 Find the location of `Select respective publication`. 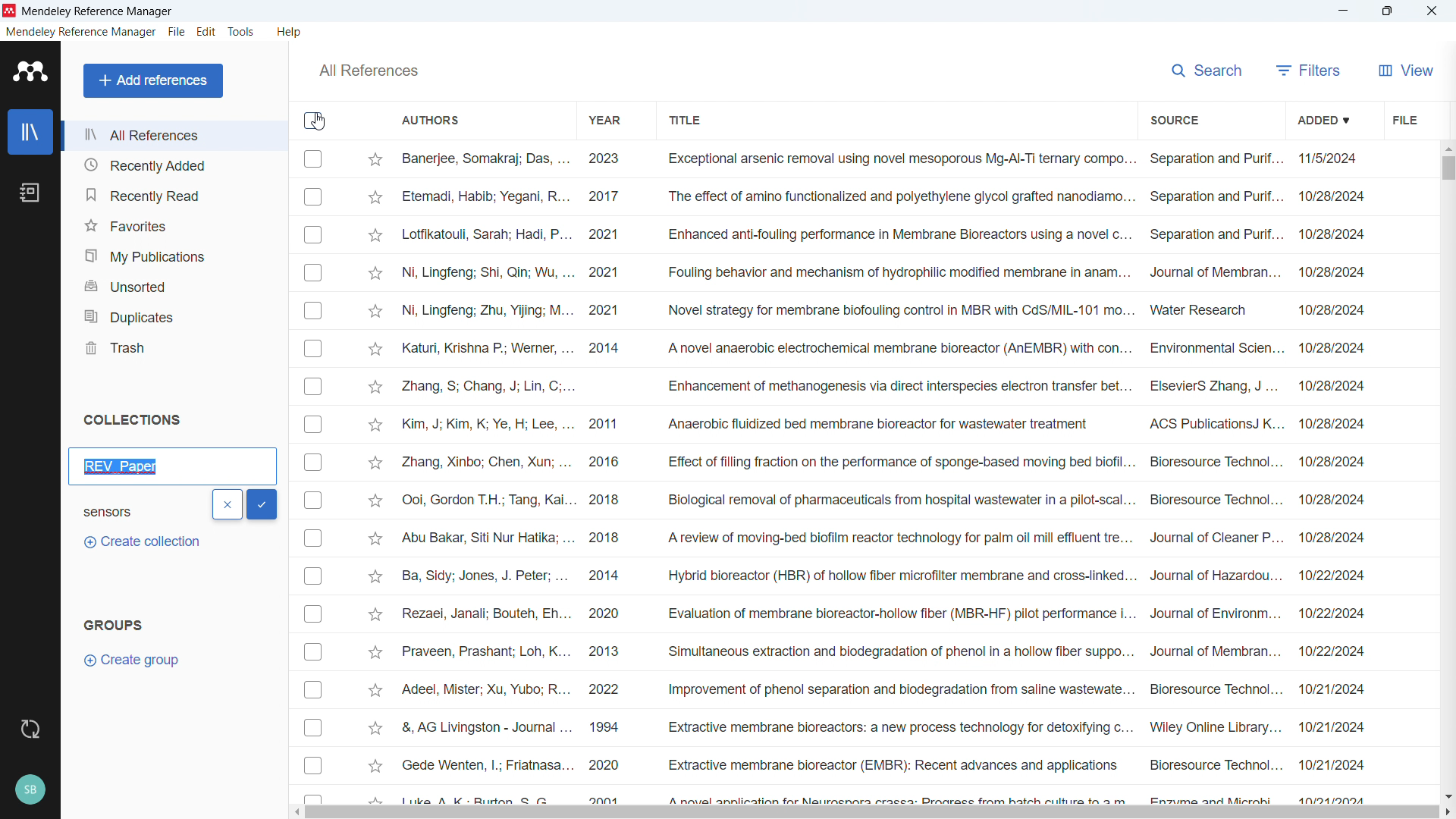

Select respective publication is located at coordinates (312, 538).